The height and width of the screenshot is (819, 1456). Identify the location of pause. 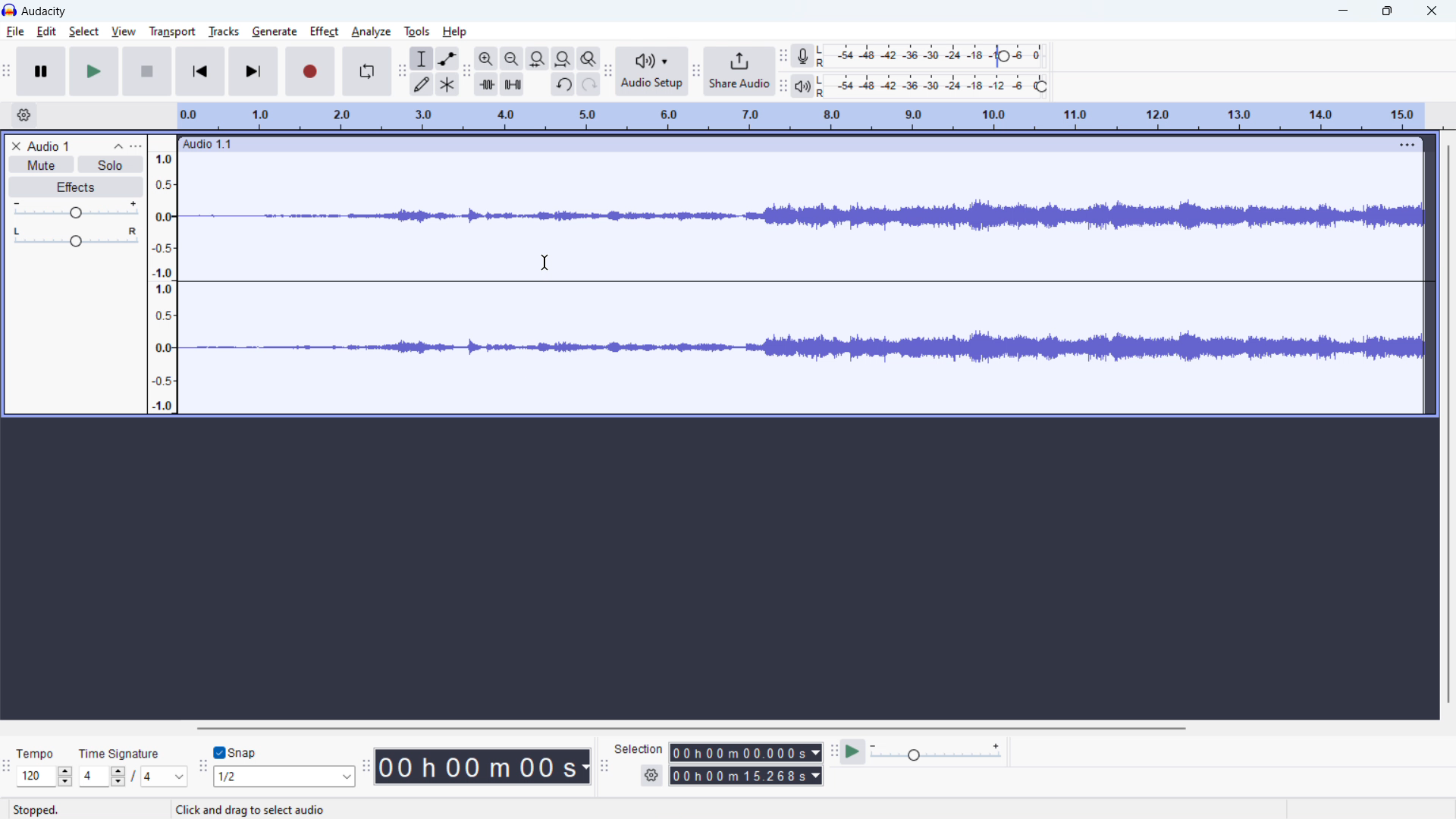
(41, 72).